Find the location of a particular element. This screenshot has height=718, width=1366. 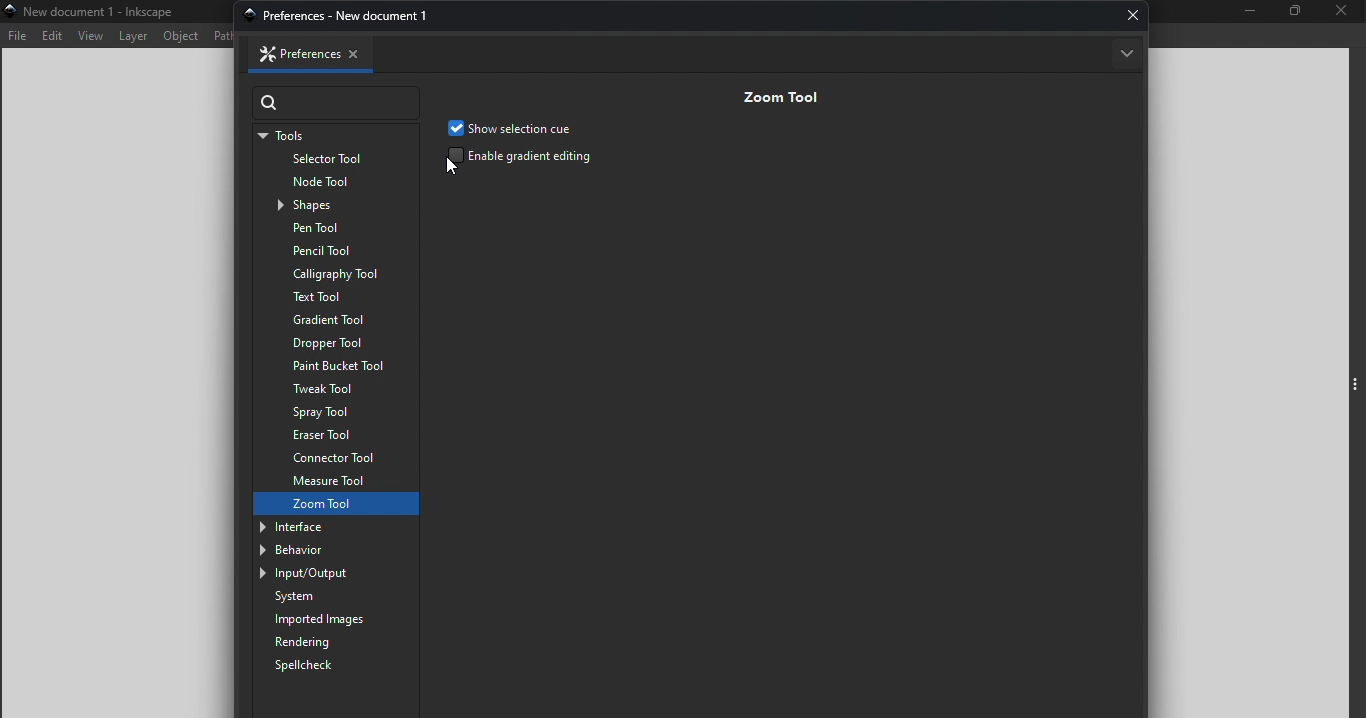

Close is located at coordinates (1135, 19).